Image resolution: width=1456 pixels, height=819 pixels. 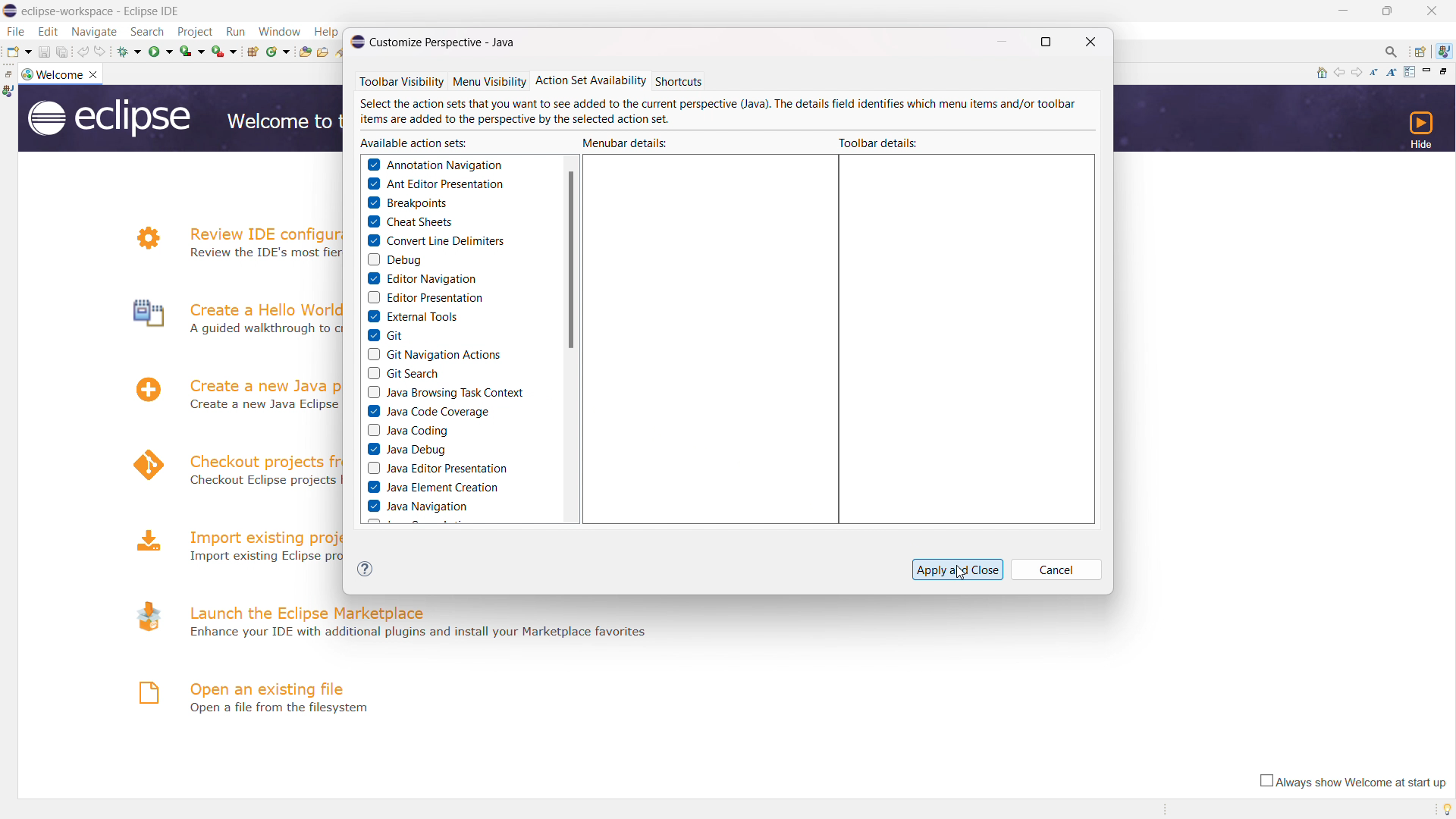 I want to click on home, so click(x=1320, y=73).